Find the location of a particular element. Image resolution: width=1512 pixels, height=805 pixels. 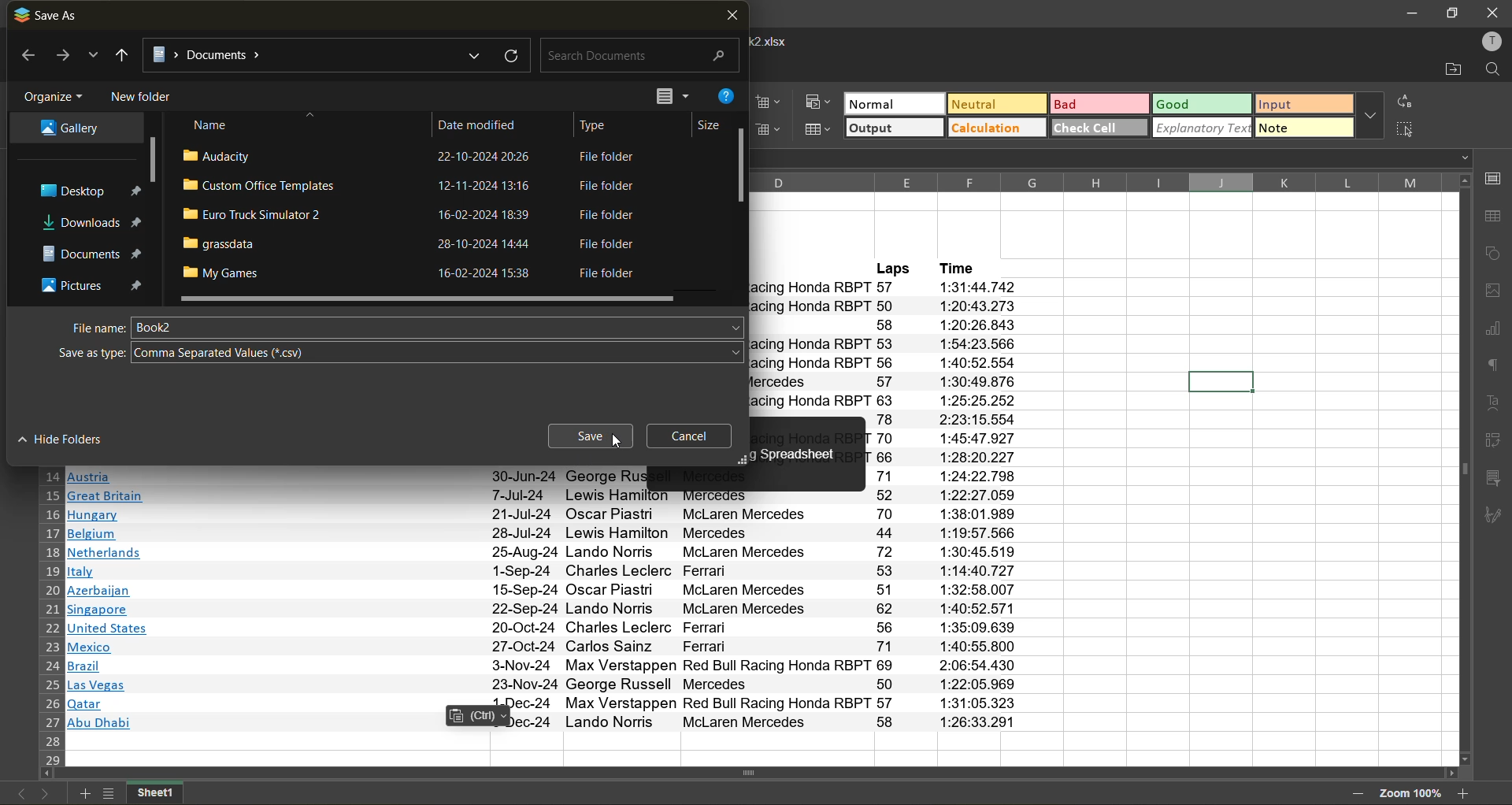

folder is located at coordinates (66, 129).